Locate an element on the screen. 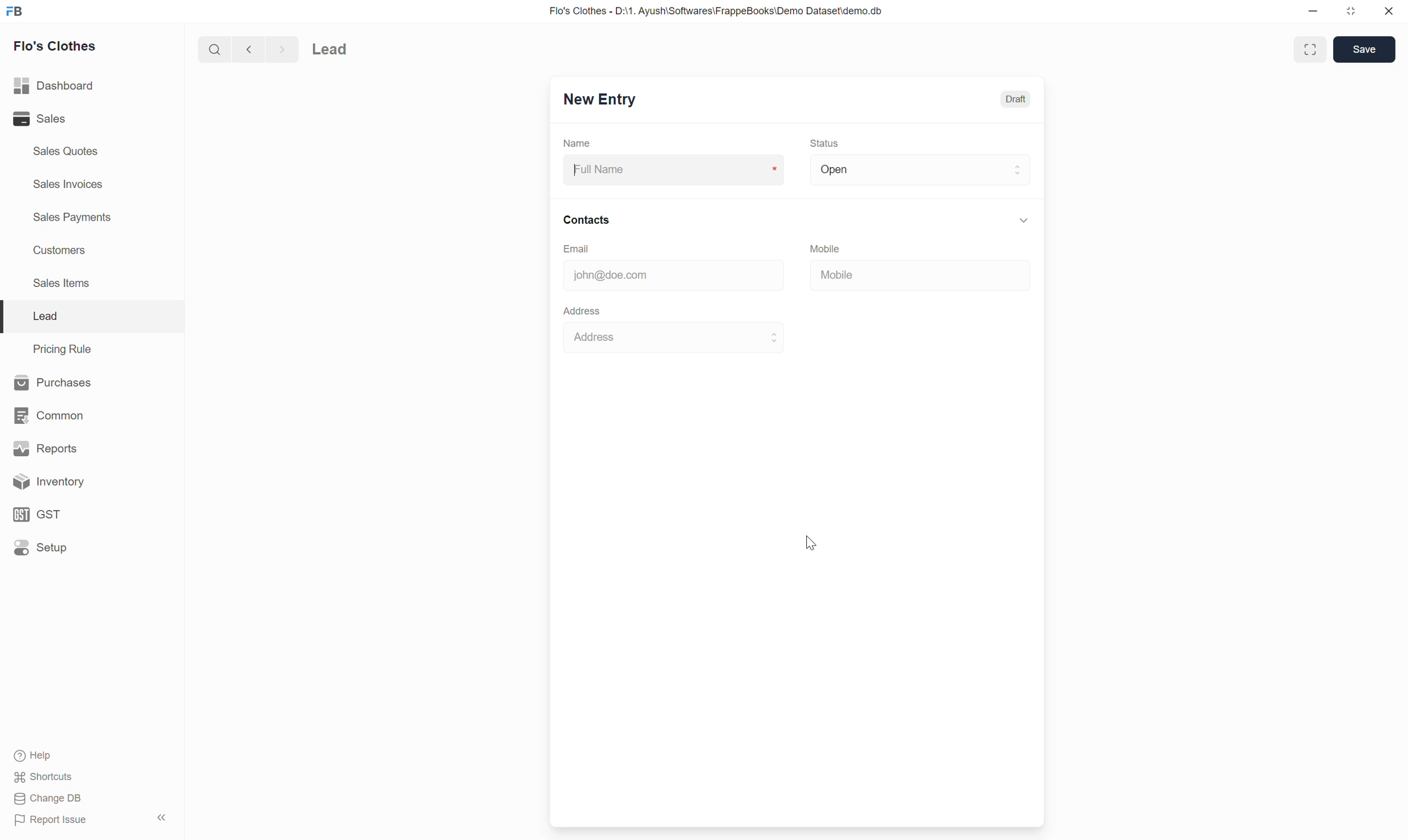 The width and height of the screenshot is (1408, 840). Expand is located at coordinates (1306, 49).